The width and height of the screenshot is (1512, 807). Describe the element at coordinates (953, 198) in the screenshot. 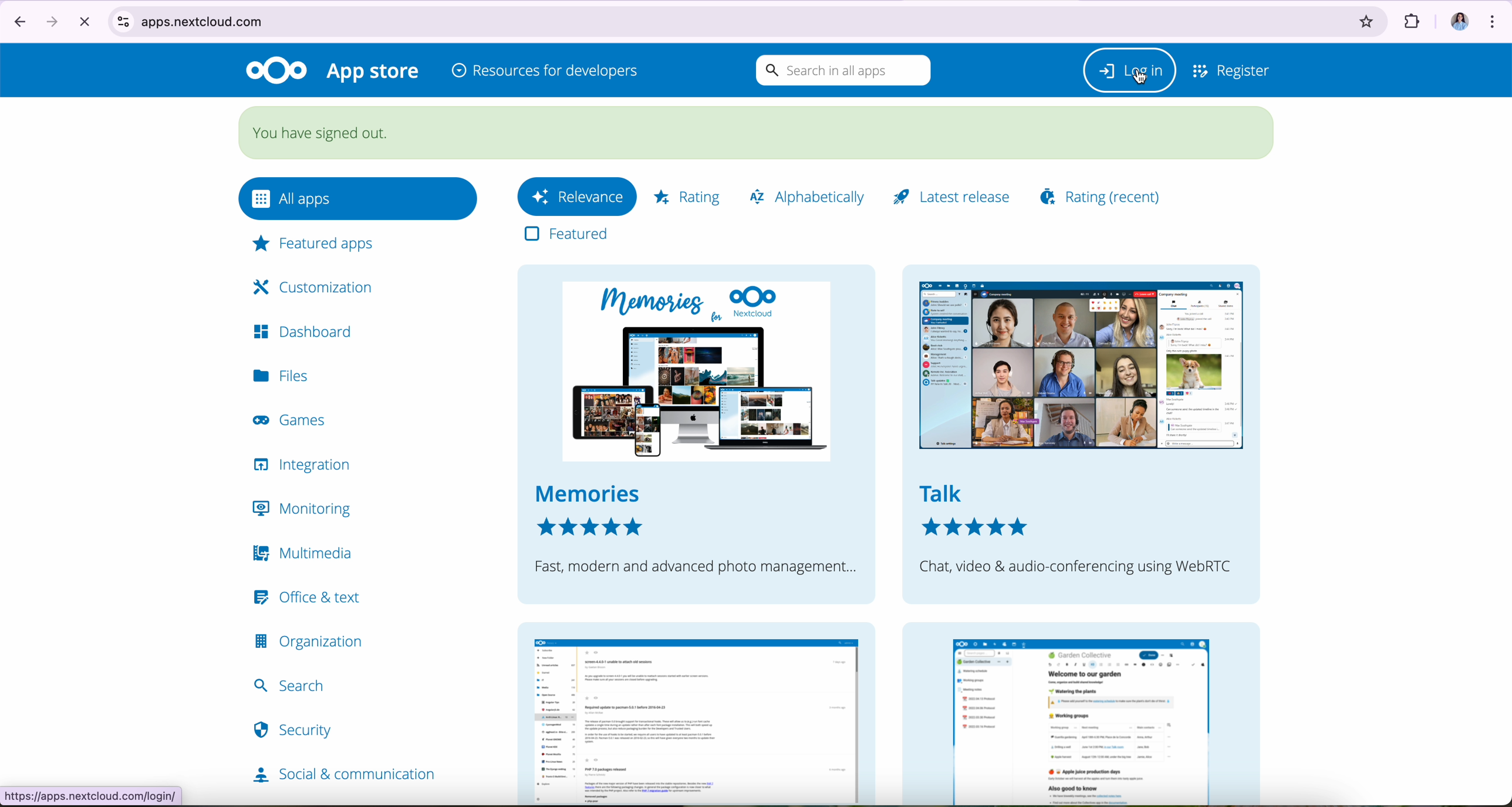

I see `latest release` at that location.